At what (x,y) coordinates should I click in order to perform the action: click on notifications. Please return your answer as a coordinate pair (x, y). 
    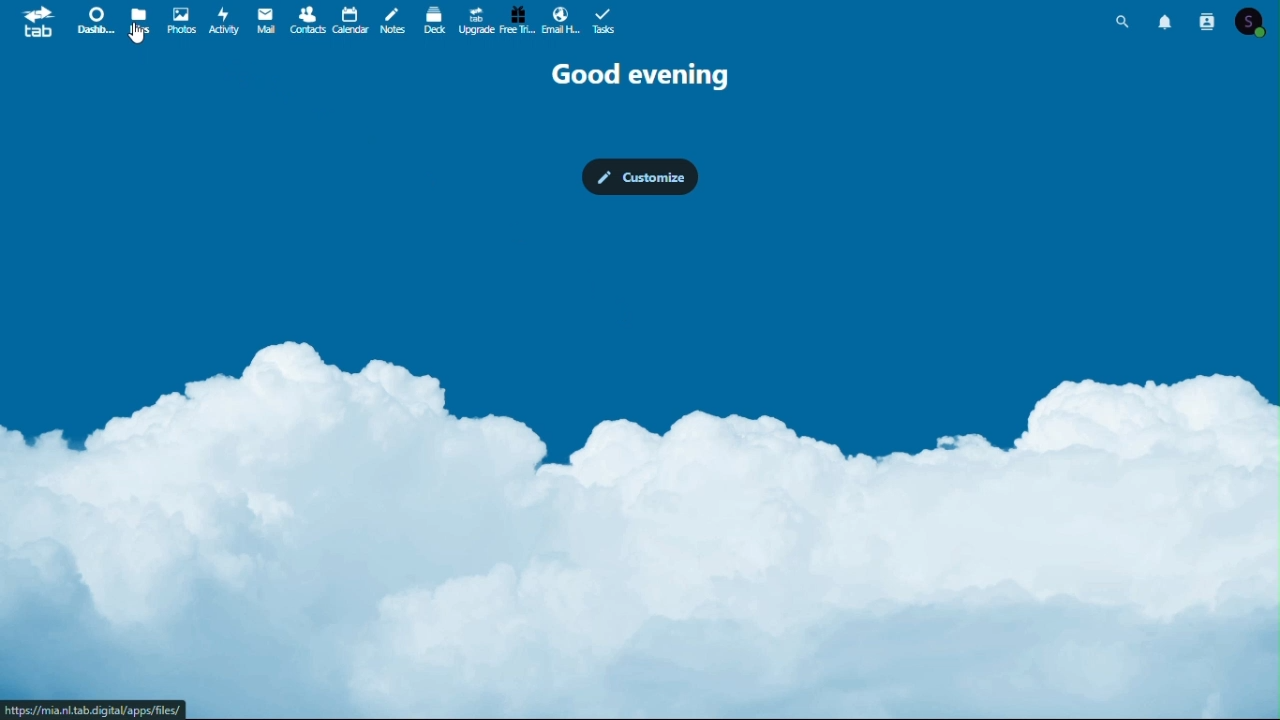
    Looking at the image, I should click on (1169, 19).